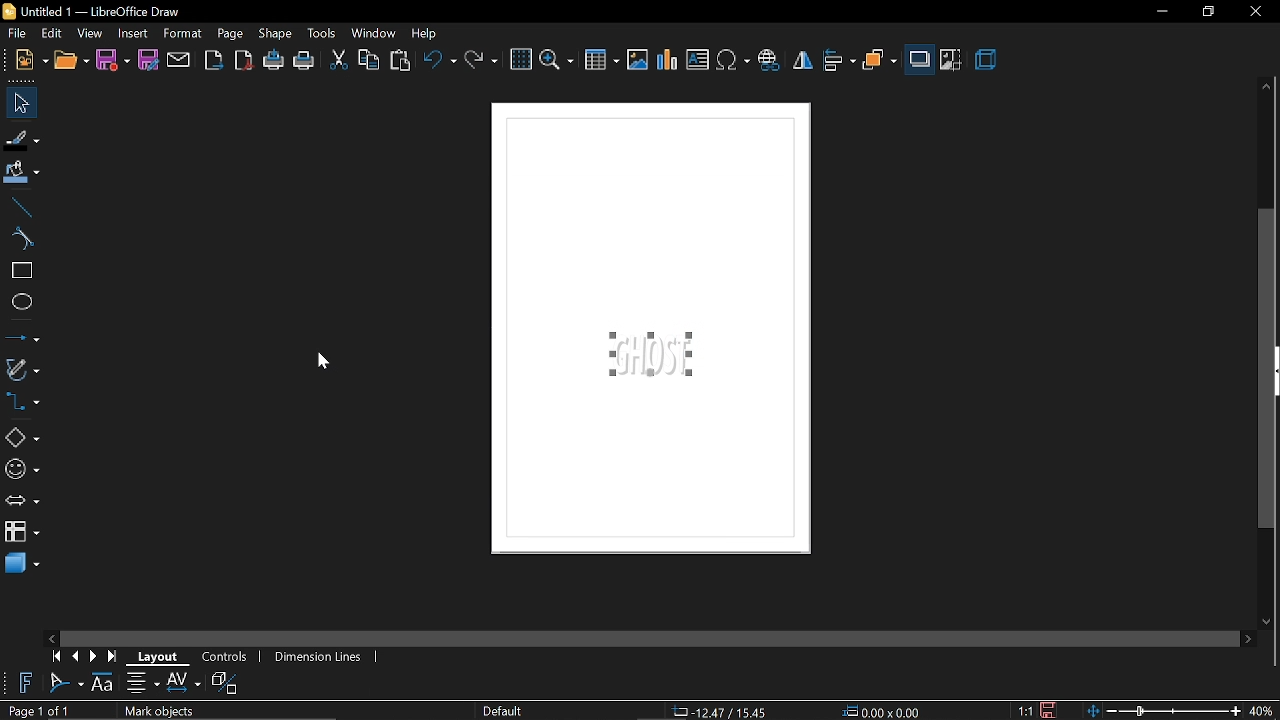  Describe the element at coordinates (338, 61) in the screenshot. I see `cut ` at that location.